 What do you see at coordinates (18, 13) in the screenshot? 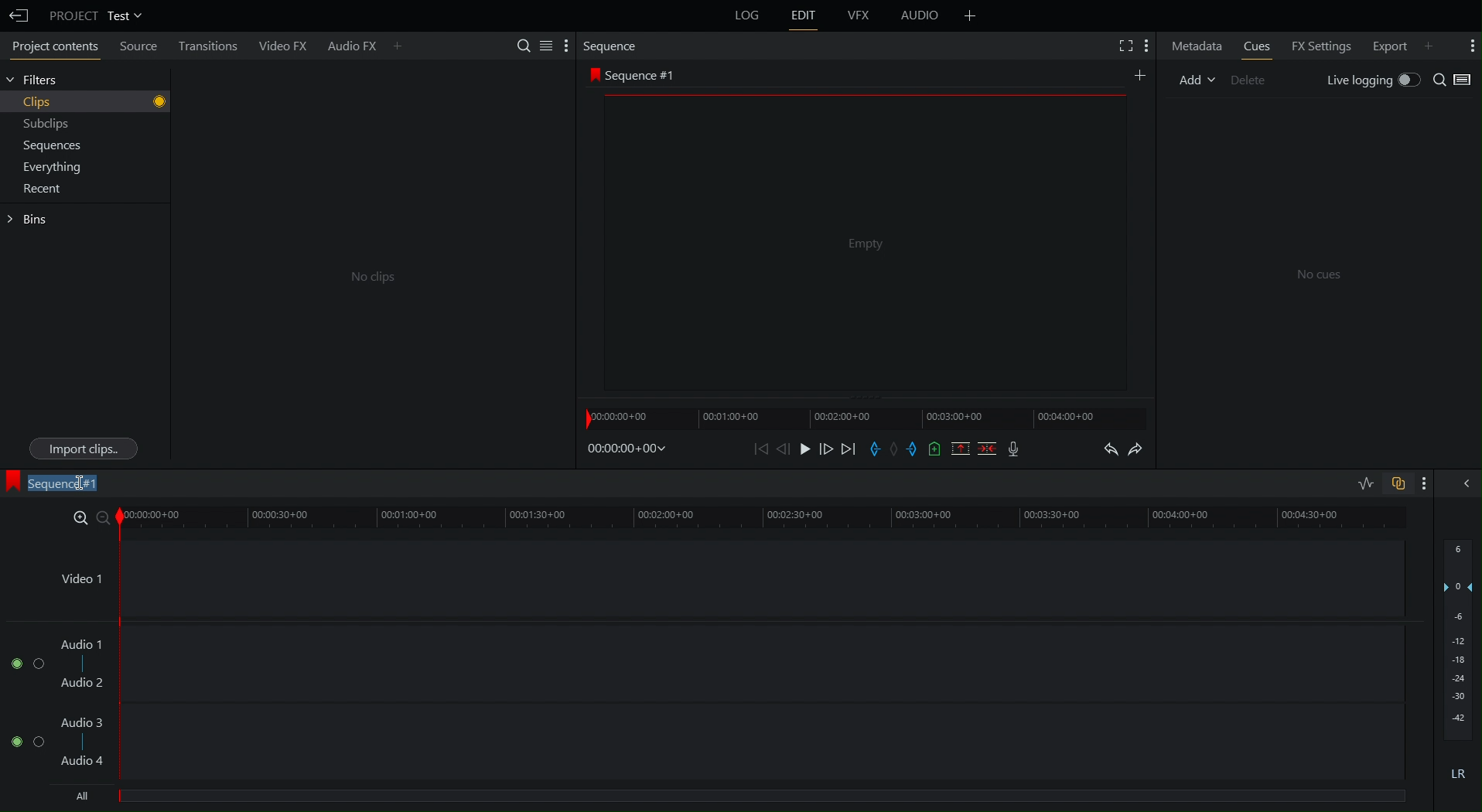
I see `Back` at bounding box center [18, 13].